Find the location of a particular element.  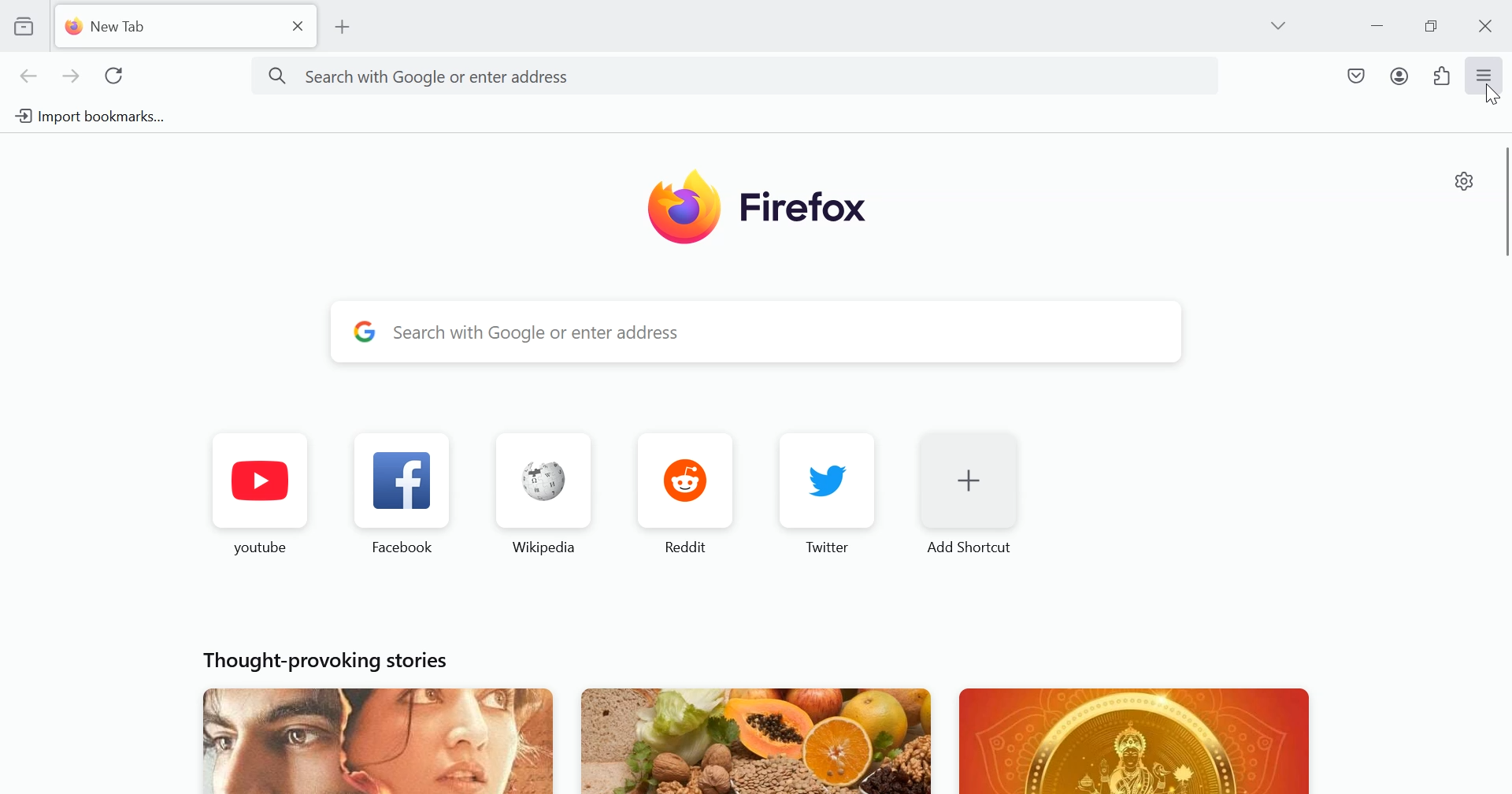

Cursor is located at coordinates (1492, 95).